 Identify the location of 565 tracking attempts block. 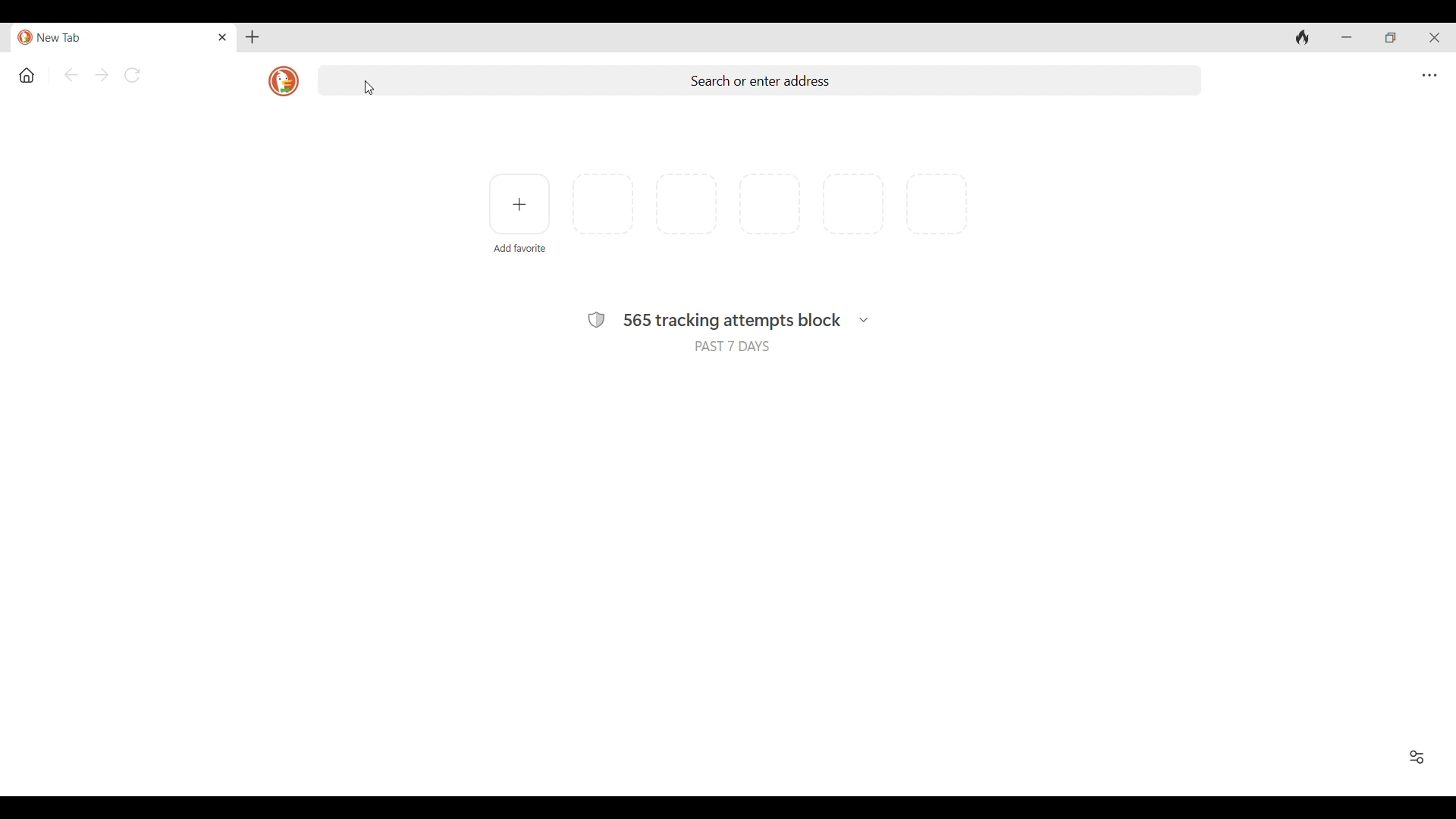
(732, 322).